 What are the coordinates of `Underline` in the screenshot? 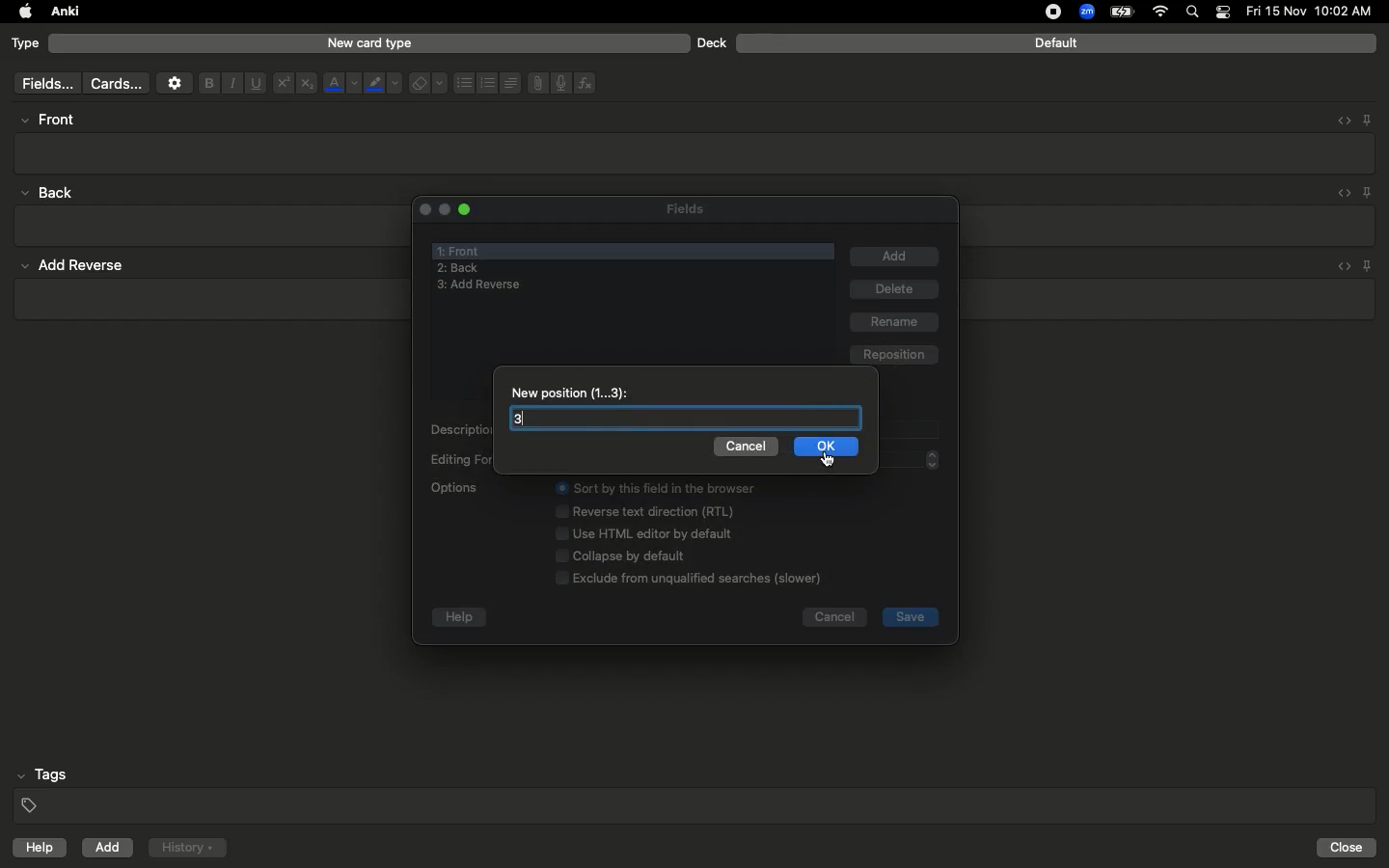 It's located at (255, 84).